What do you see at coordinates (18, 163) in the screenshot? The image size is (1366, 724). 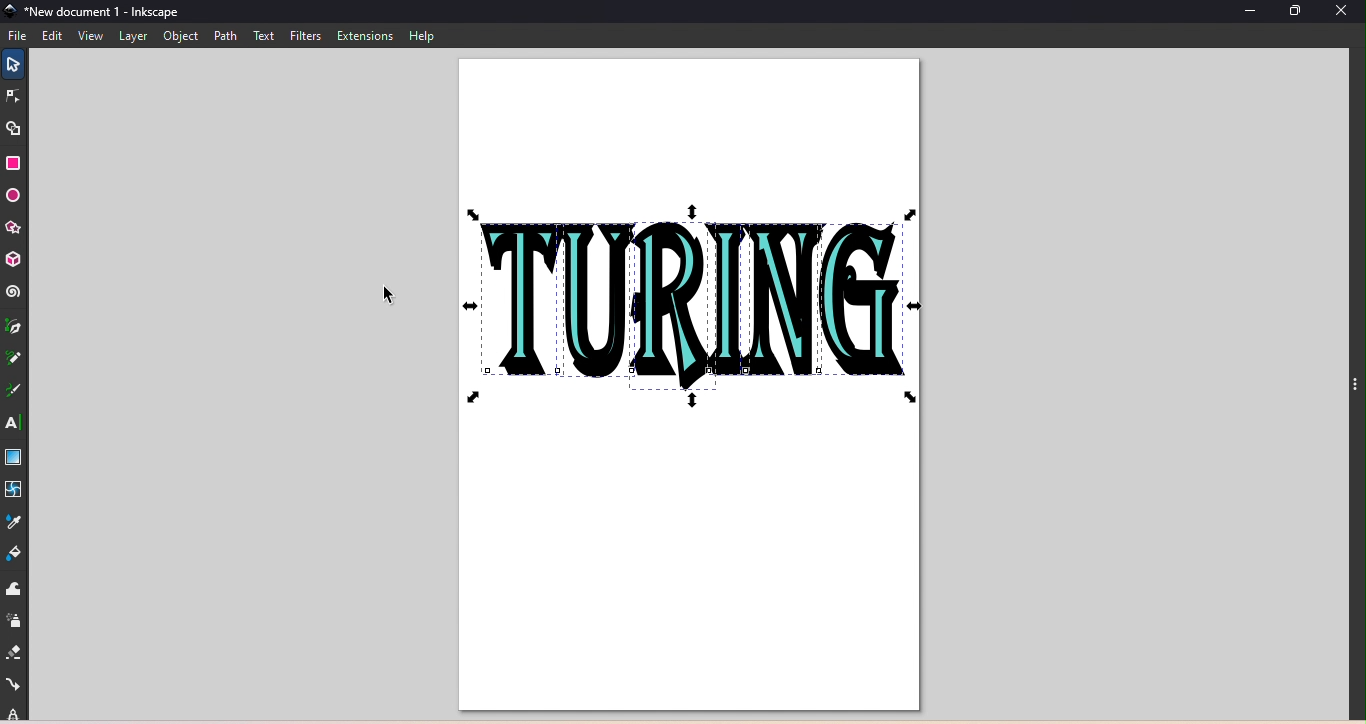 I see `Rectangle tool` at bounding box center [18, 163].